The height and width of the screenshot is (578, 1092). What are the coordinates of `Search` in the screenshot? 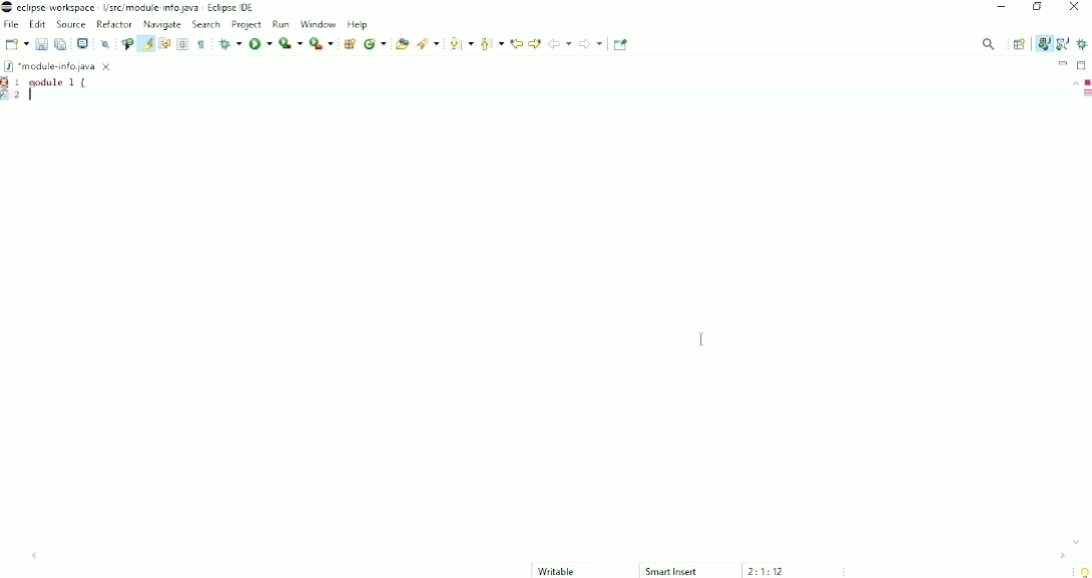 It's located at (207, 25).